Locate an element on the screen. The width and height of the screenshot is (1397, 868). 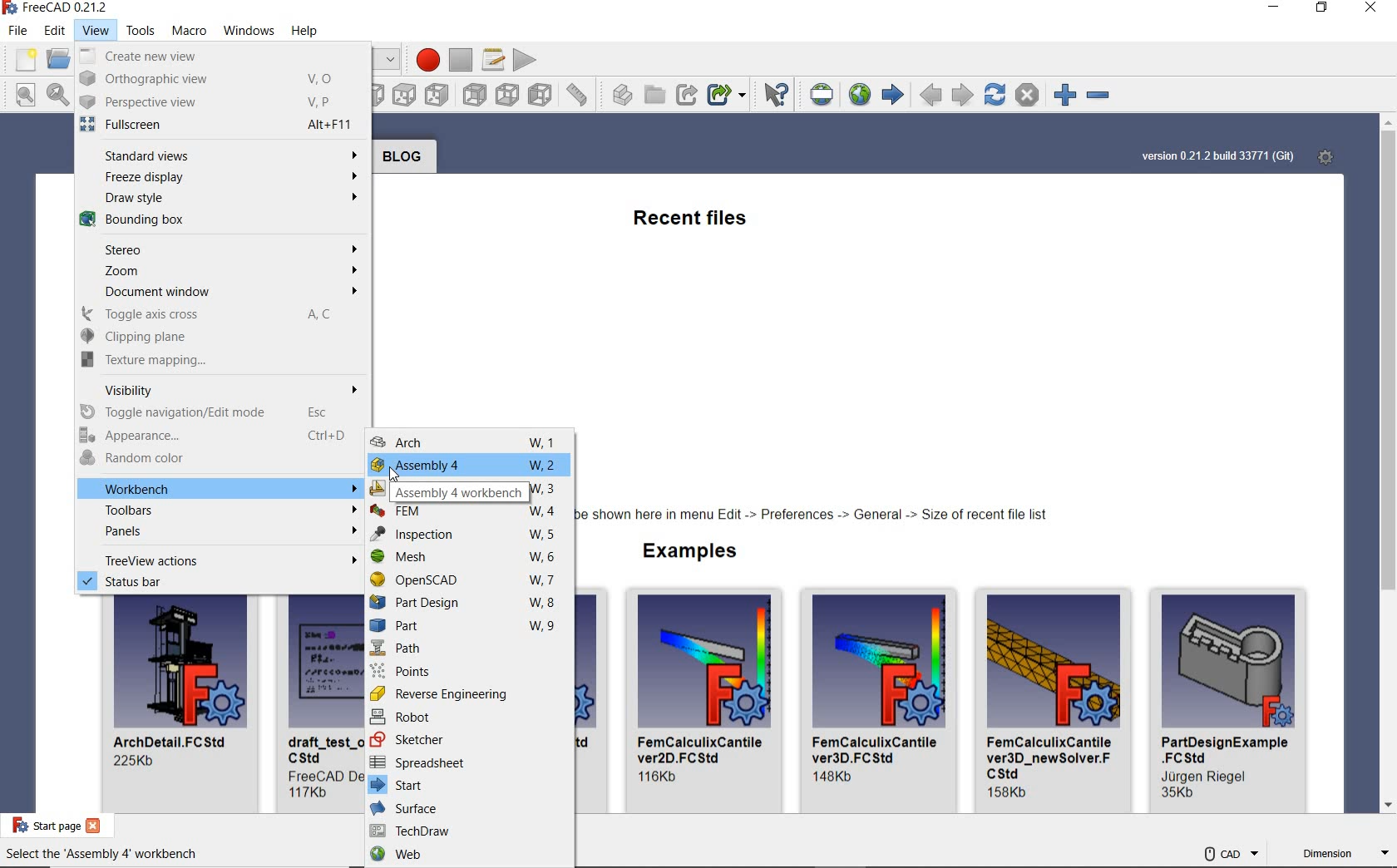
start page is located at coordinates (893, 95).